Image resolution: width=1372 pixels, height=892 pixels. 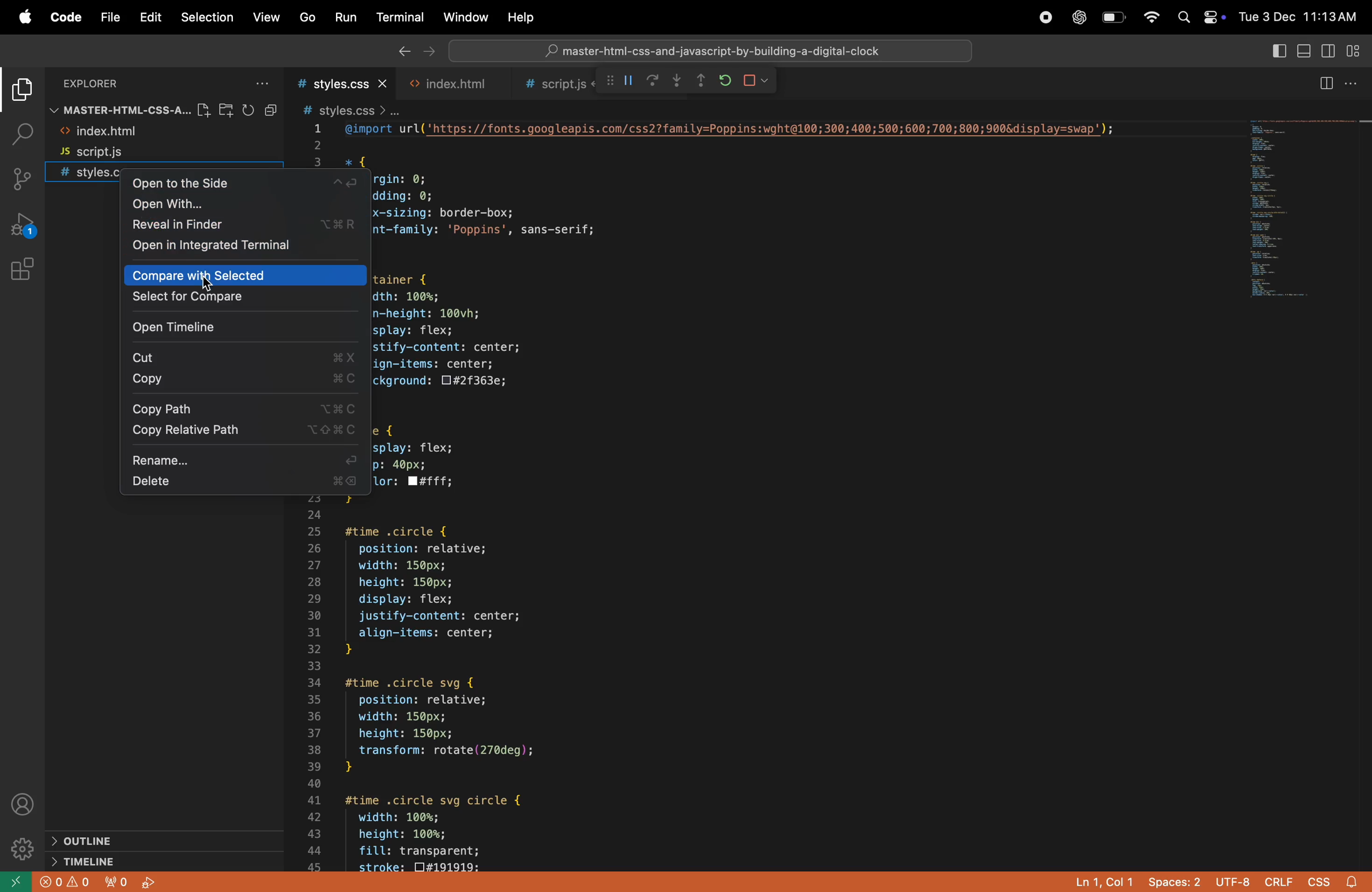 What do you see at coordinates (1197, 16) in the screenshot?
I see `apple widgets` at bounding box center [1197, 16].